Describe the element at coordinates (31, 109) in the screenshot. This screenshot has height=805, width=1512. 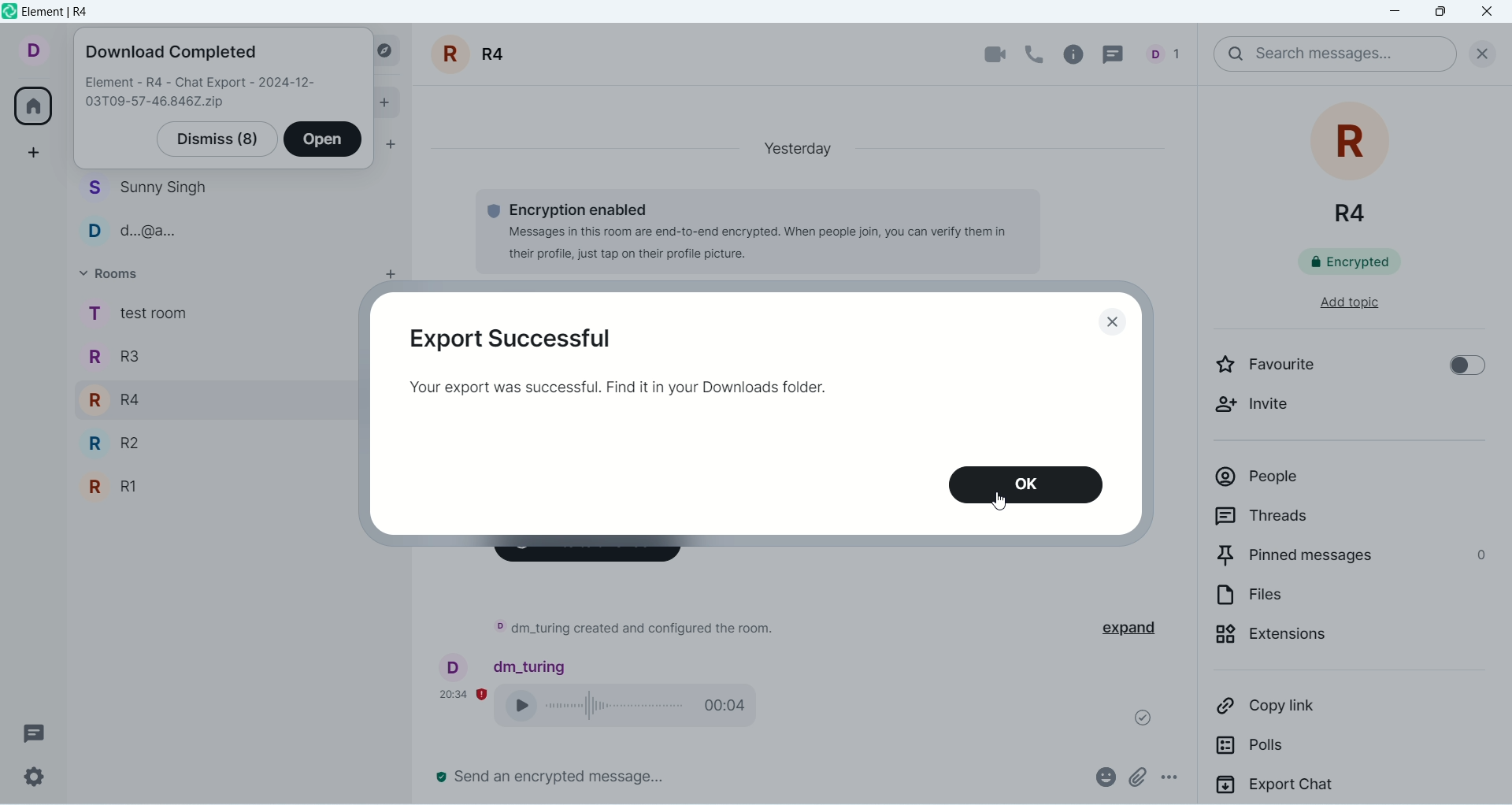
I see `all rooms` at that location.